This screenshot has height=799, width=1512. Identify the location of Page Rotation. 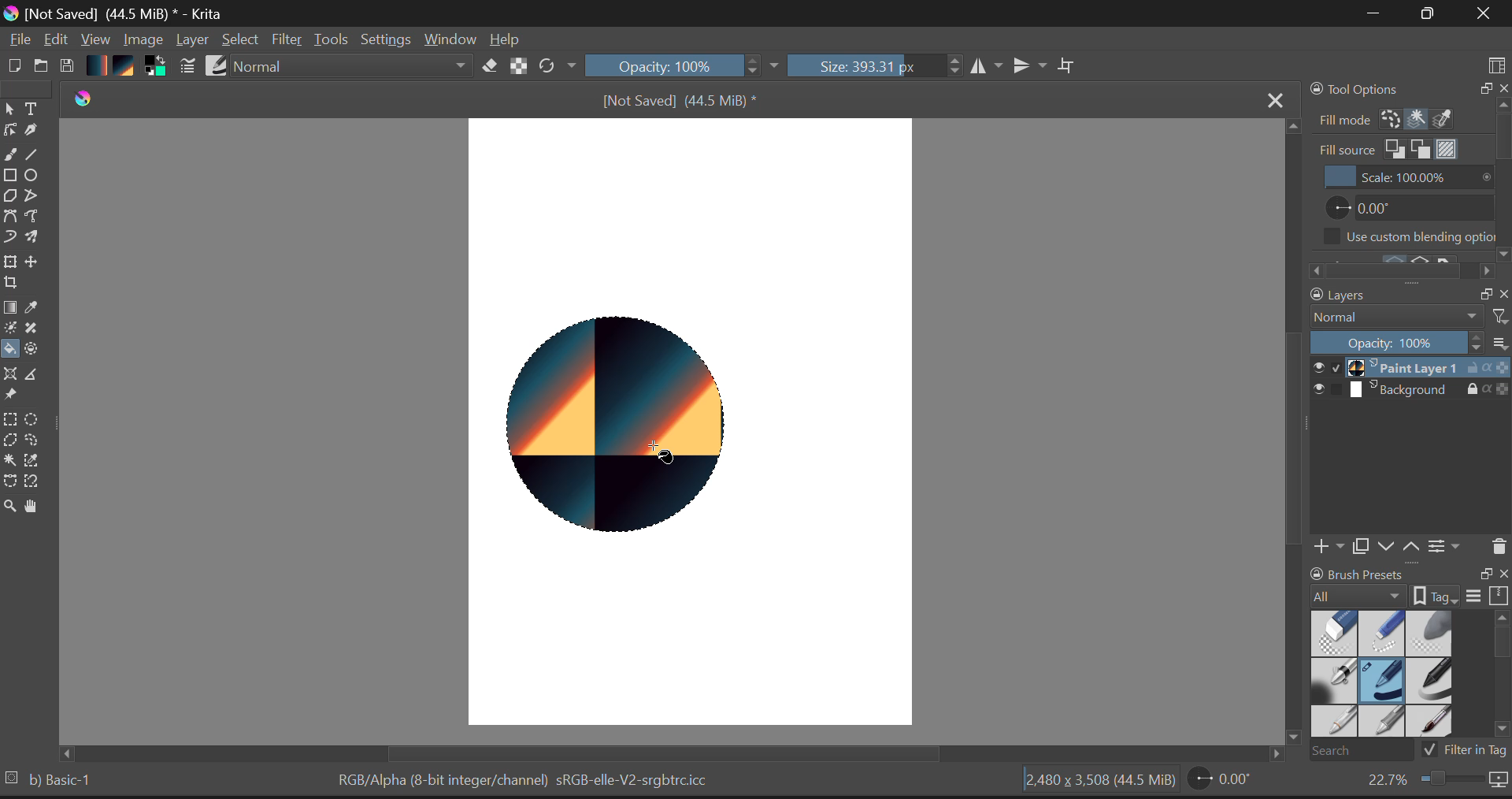
(1221, 782).